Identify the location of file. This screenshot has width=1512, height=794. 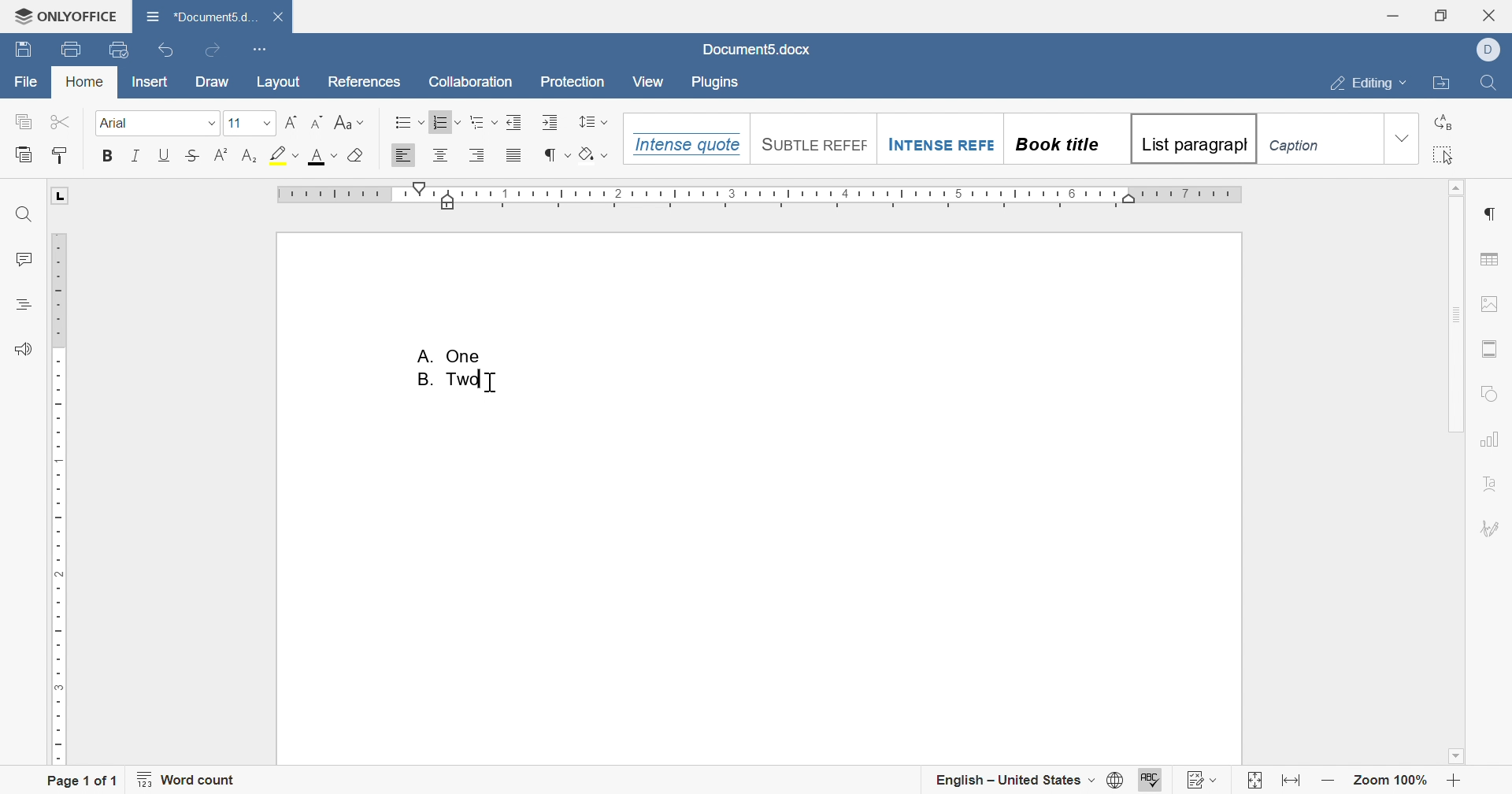
(26, 82).